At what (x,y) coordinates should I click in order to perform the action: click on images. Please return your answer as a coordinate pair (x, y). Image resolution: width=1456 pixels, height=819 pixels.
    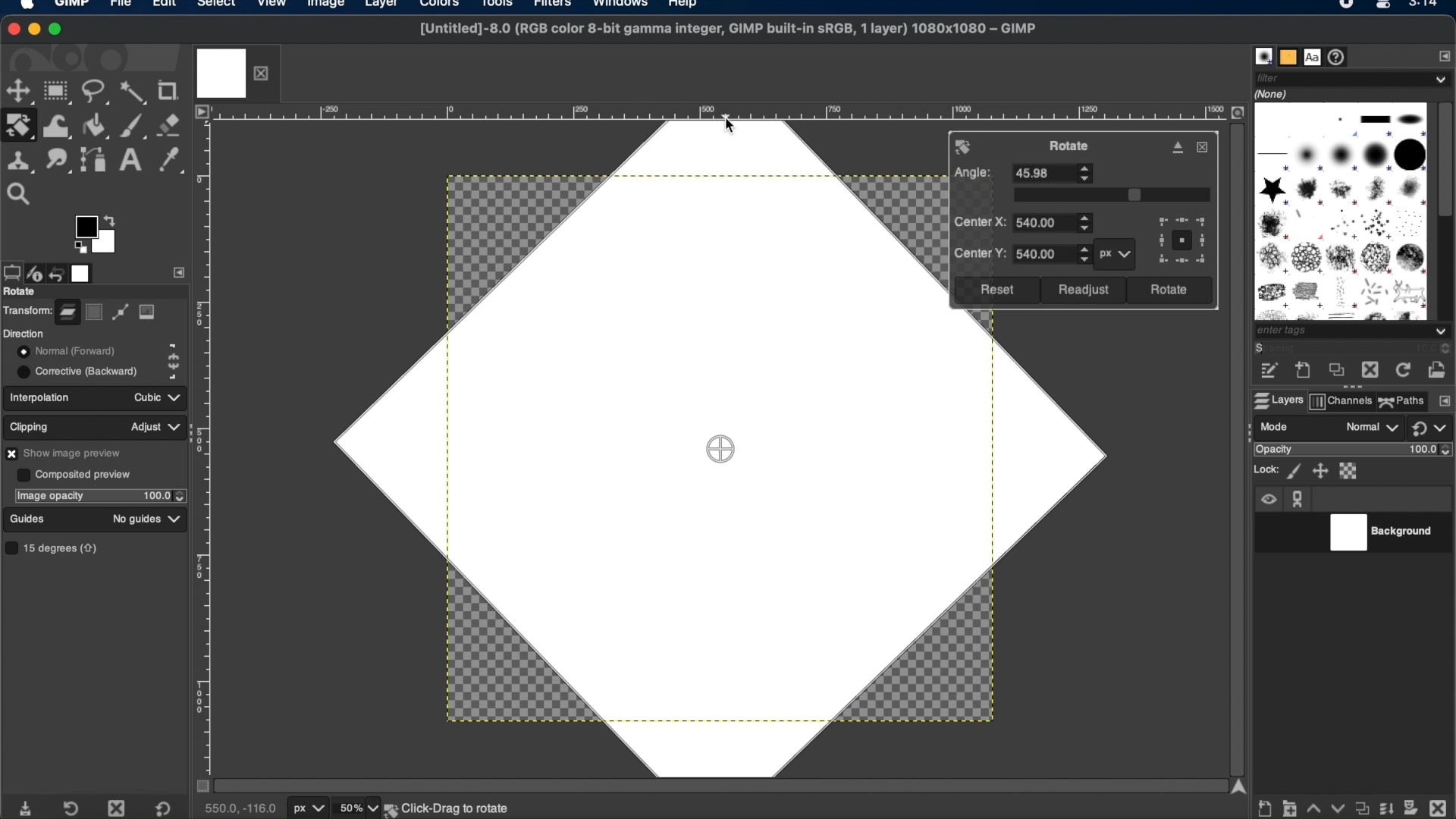
    Looking at the image, I should click on (83, 272).